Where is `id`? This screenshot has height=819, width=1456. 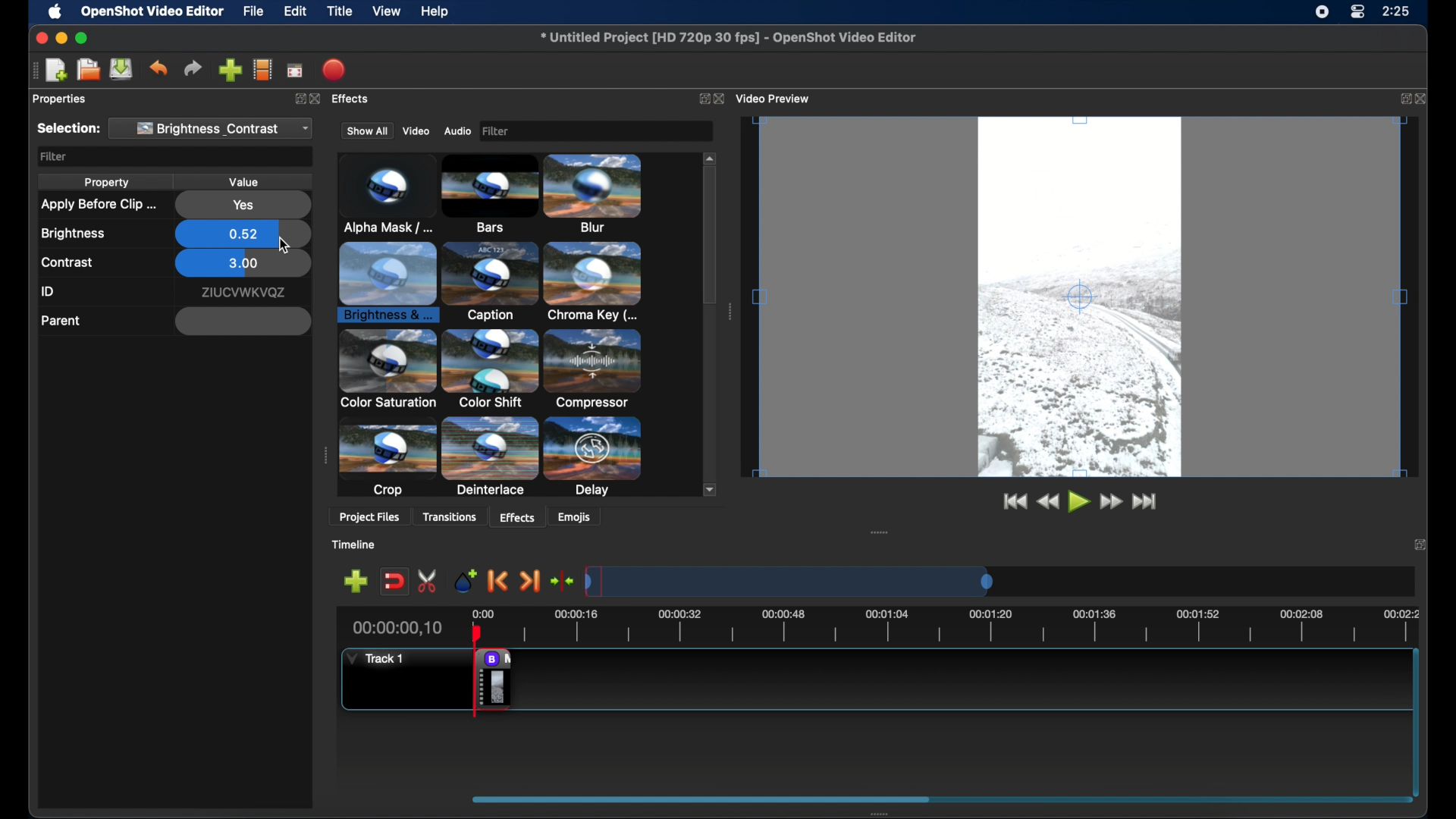
id is located at coordinates (243, 293).